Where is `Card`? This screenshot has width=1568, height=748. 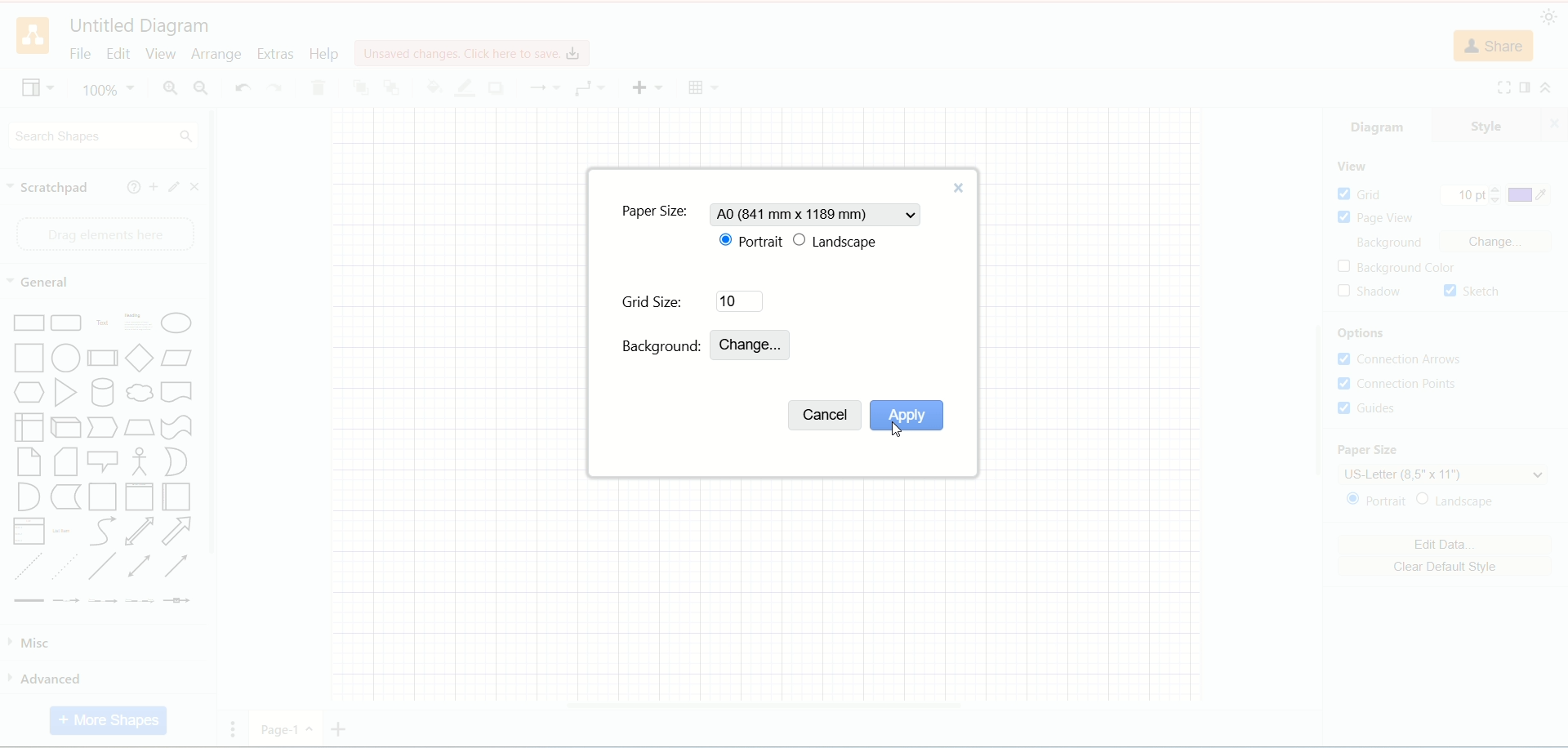 Card is located at coordinates (67, 464).